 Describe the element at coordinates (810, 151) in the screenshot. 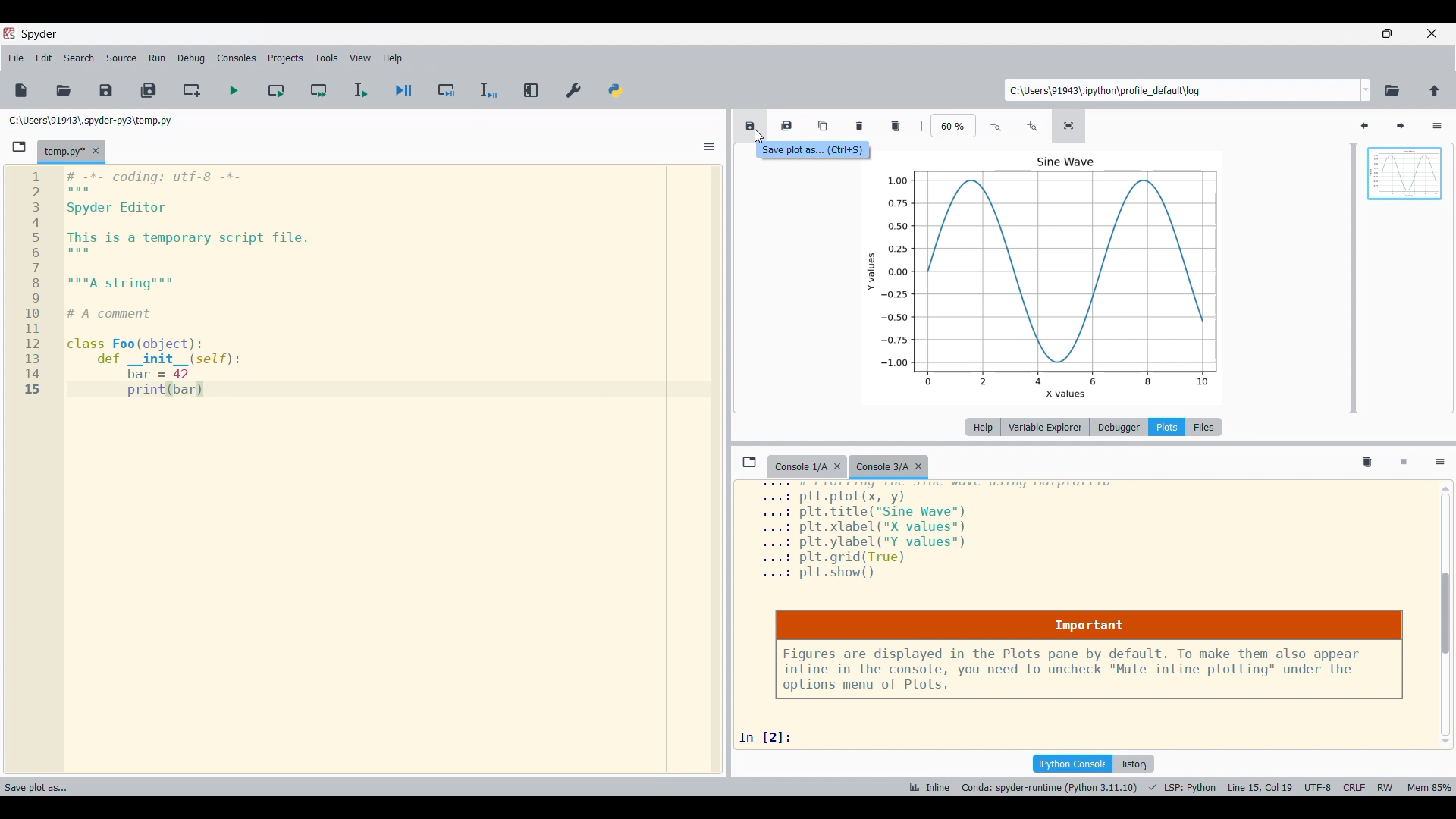

I see `Description of current selection` at that location.